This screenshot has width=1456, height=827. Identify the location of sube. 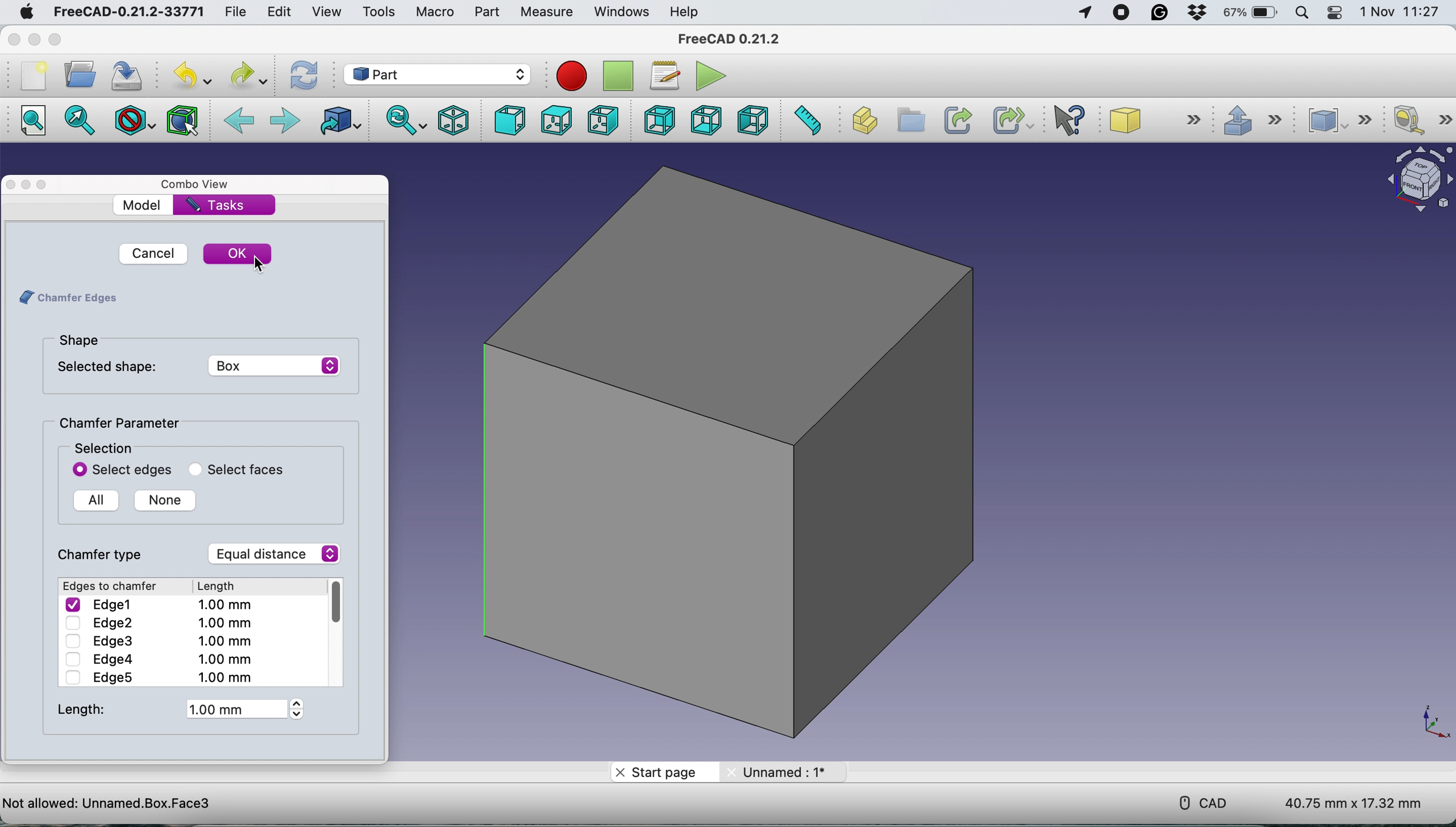
(1155, 120).